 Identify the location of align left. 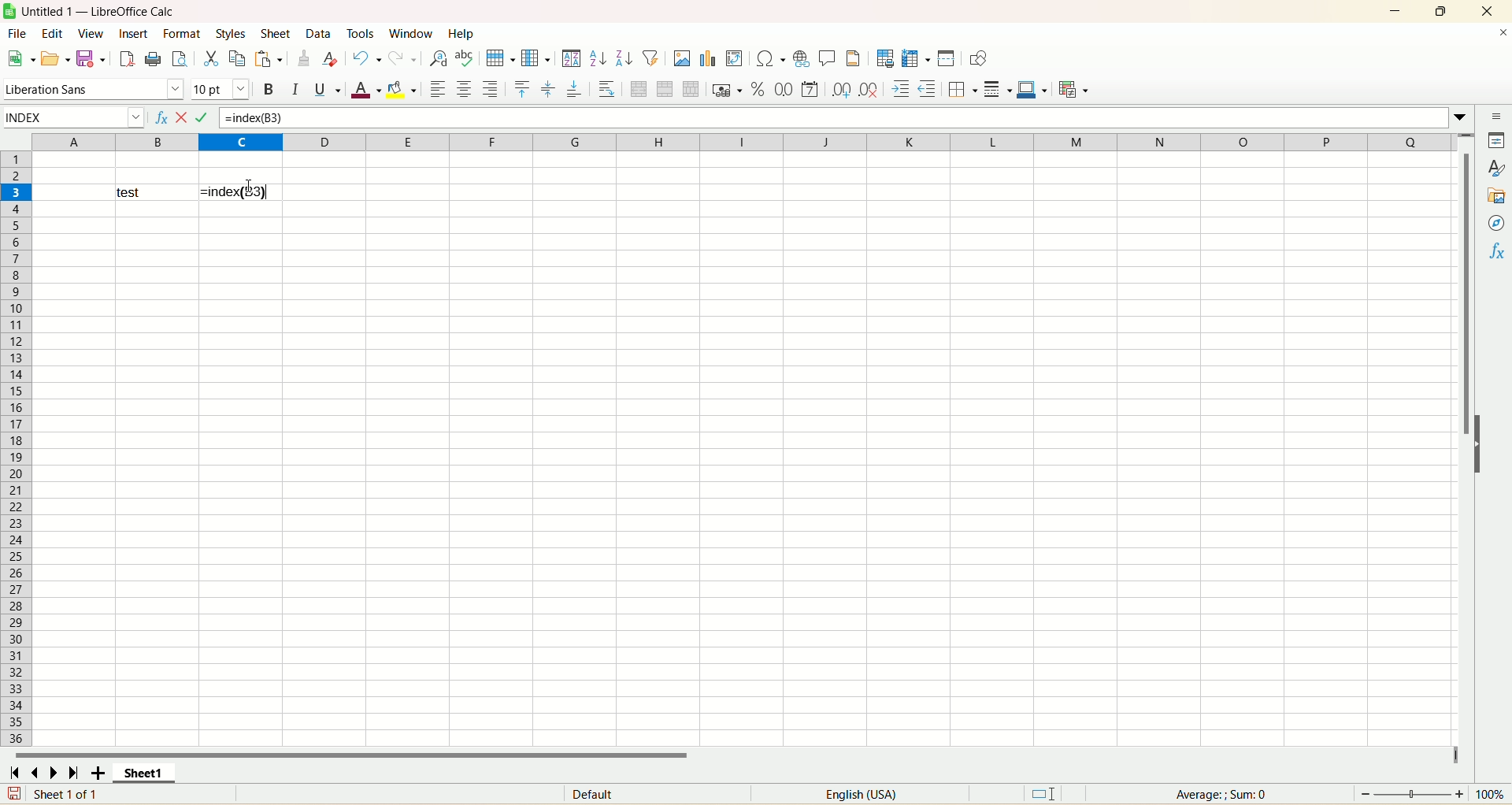
(437, 89).